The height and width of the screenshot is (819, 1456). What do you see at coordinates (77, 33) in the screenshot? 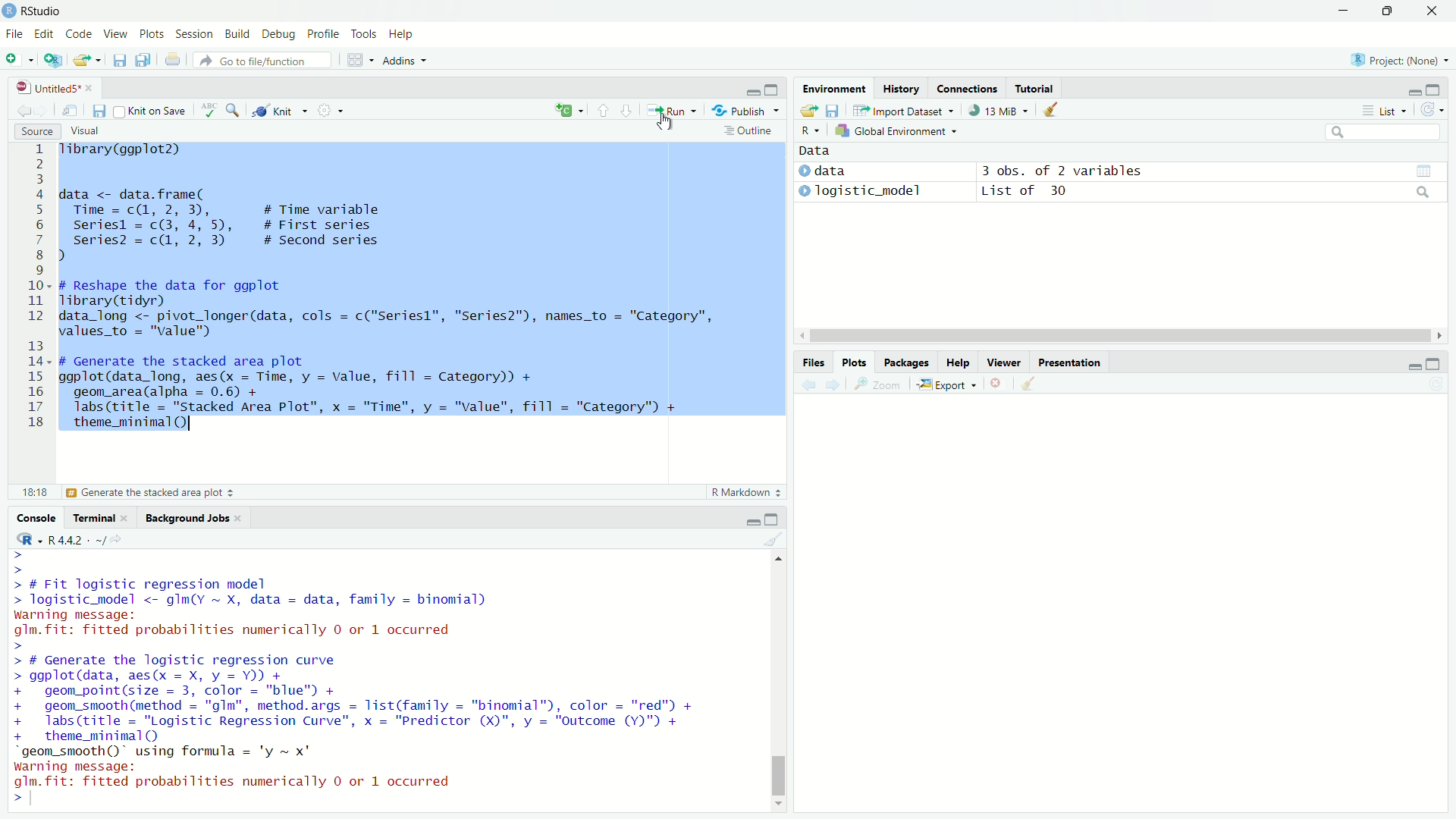
I see `Code` at bounding box center [77, 33].